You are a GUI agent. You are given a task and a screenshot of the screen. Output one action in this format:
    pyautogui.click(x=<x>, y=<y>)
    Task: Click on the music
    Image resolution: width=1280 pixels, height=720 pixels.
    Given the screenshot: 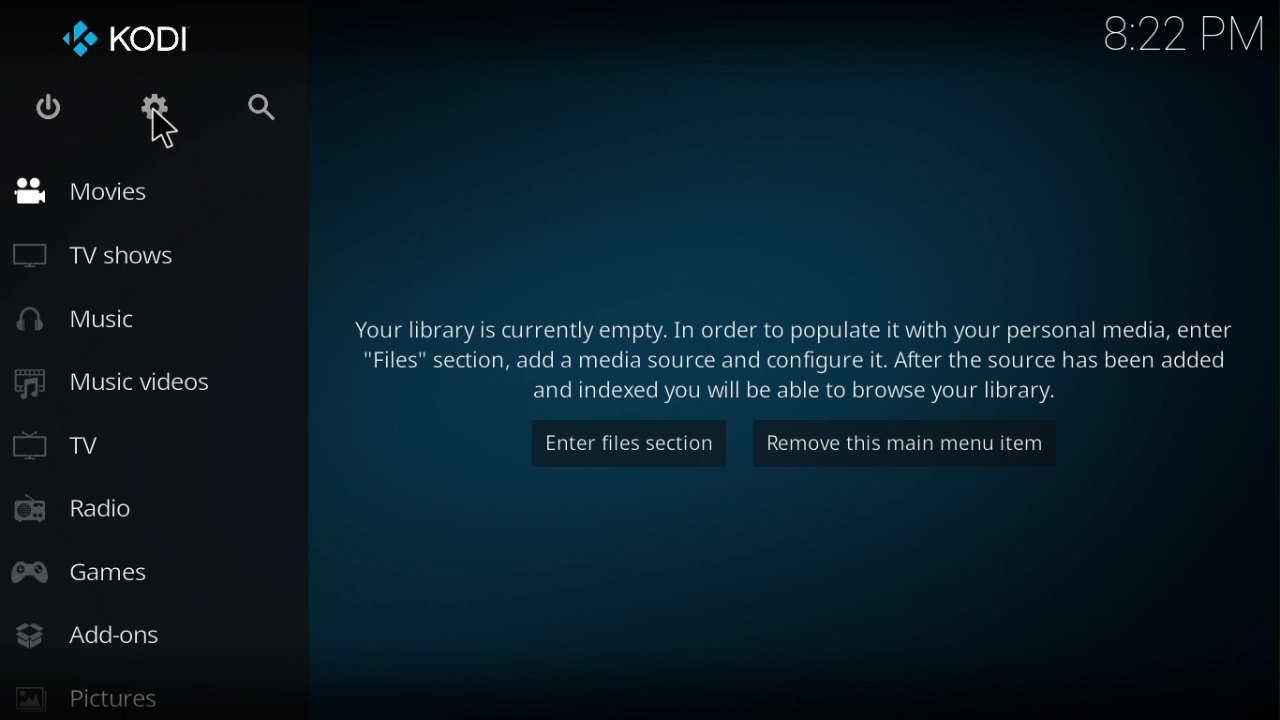 What is the action you would take?
    pyautogui.click(x=112, y=317)
    